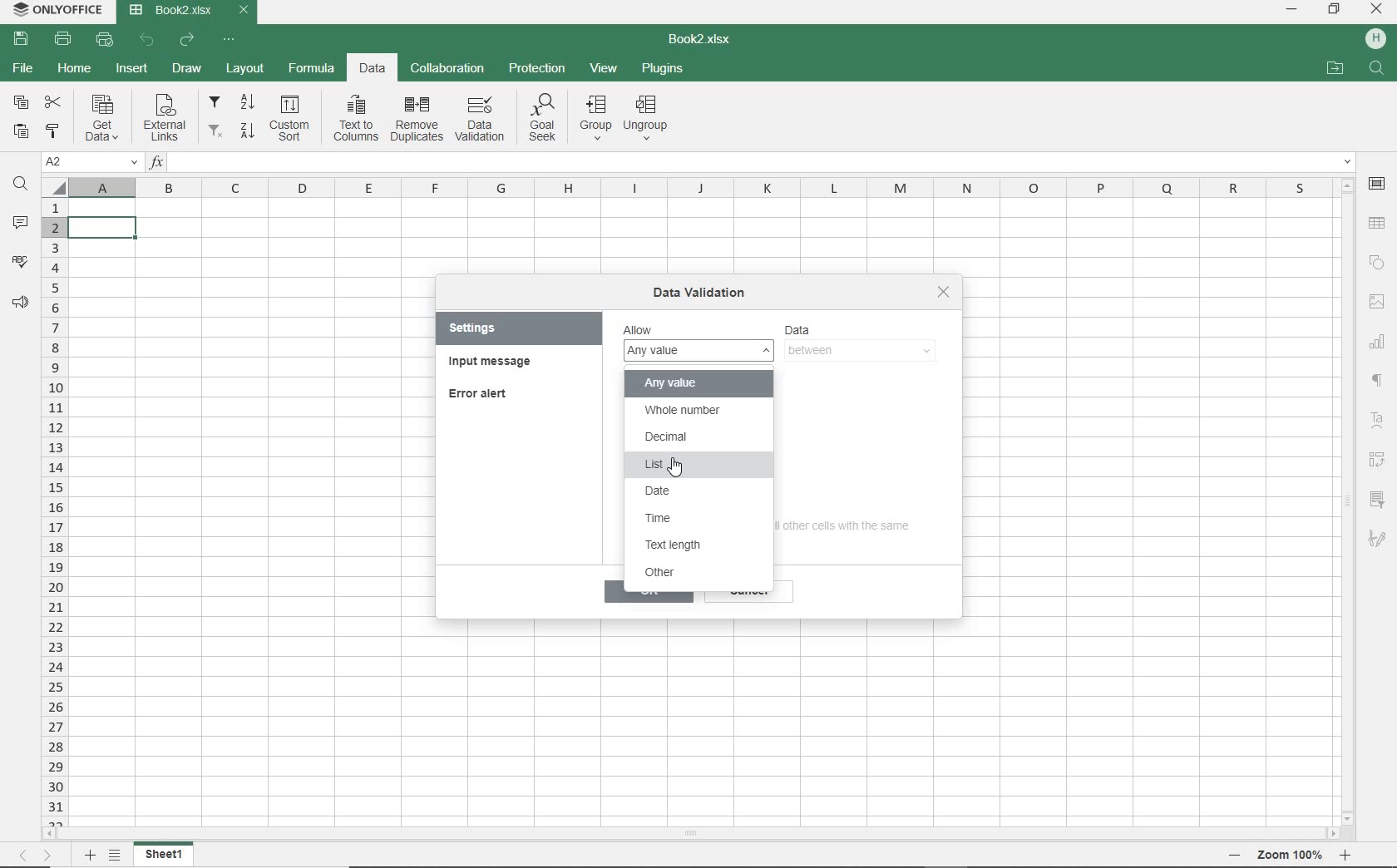  Describe the element at coordinates (1377, 460) in the screenshot. I see `PIVOT table` at that location.